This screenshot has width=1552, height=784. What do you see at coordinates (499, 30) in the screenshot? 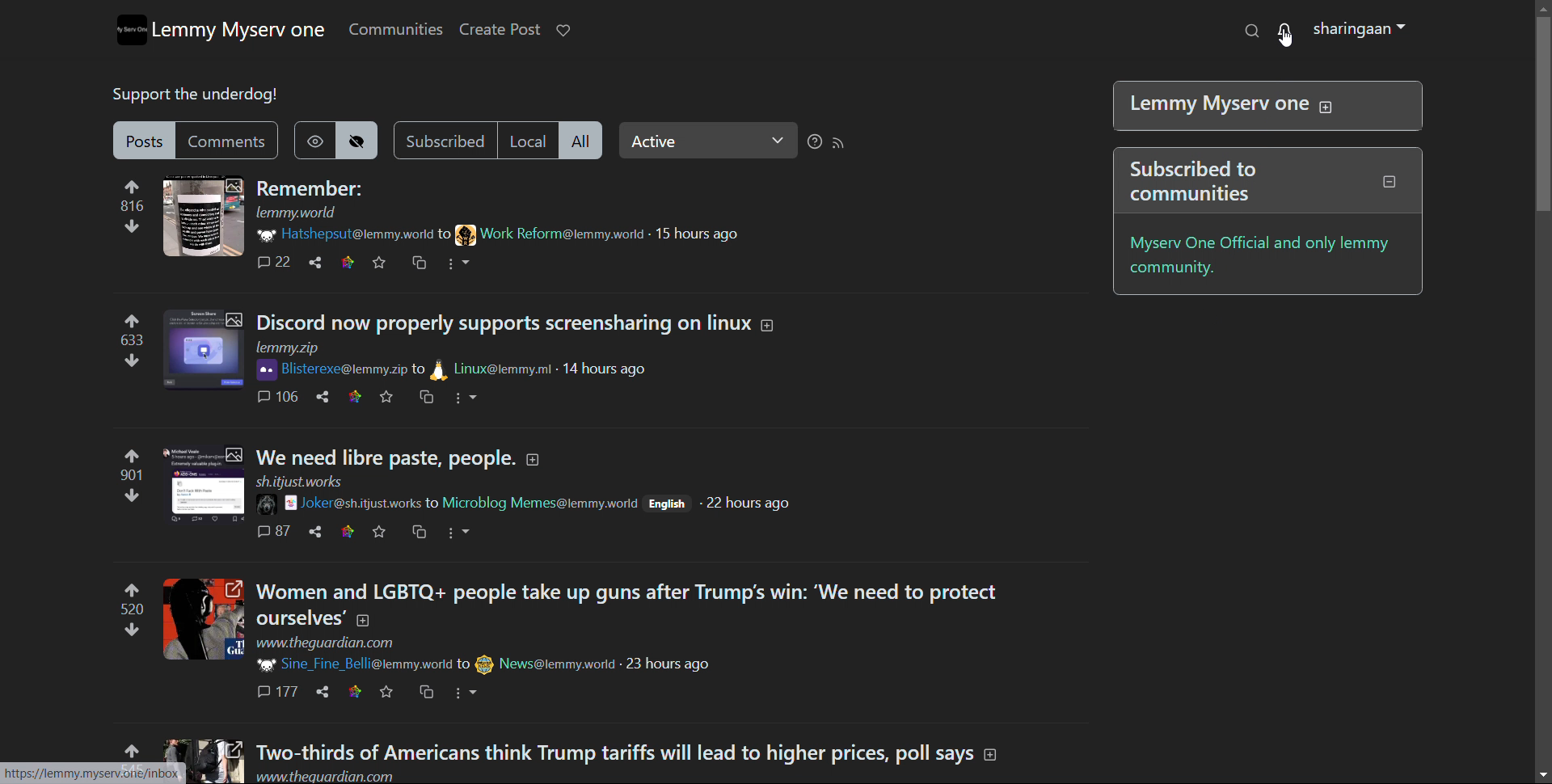
I see `create post` at bounding box center [499, 30].